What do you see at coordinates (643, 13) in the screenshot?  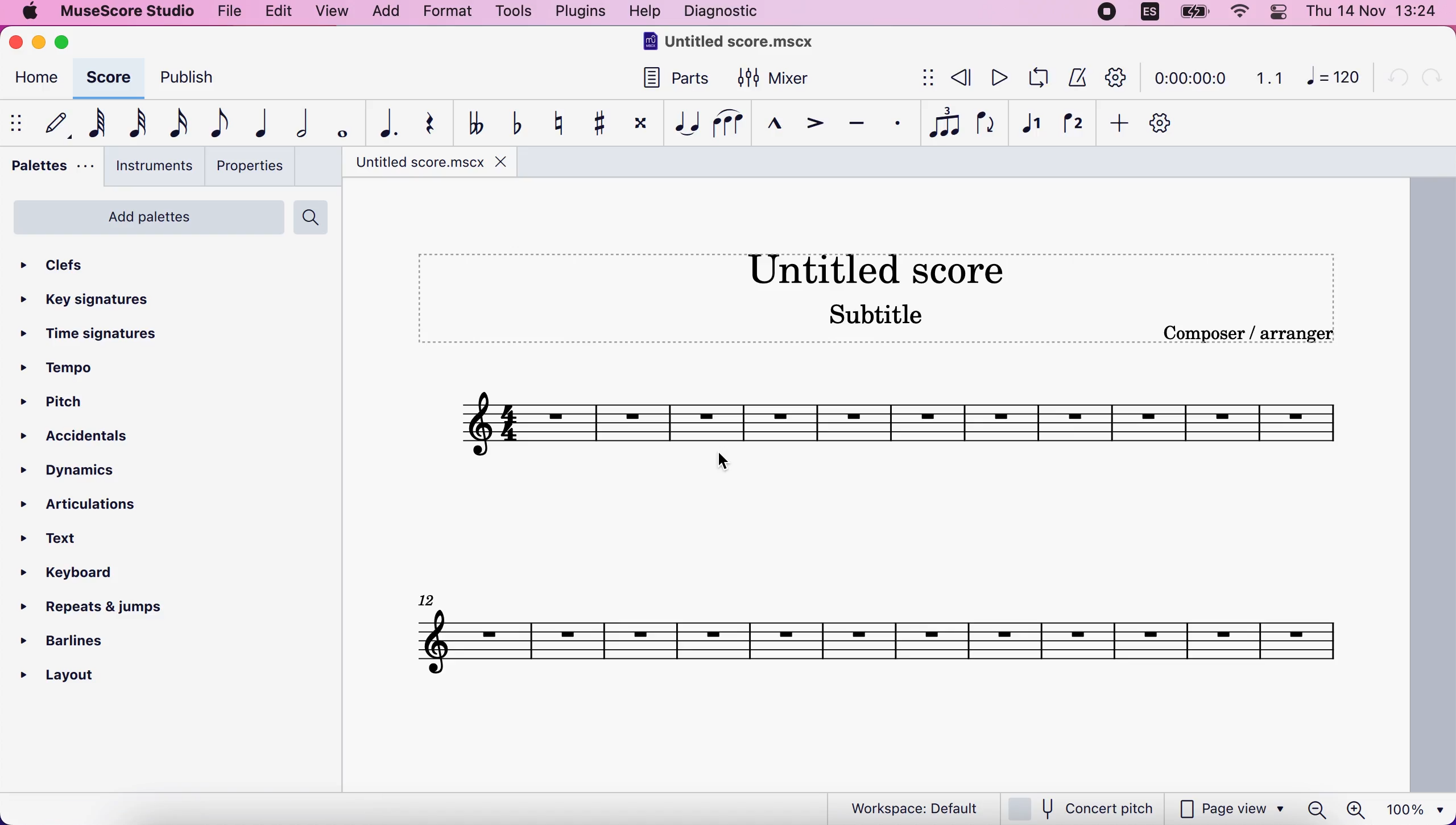 I see `help` at bounding box center [643, 13].